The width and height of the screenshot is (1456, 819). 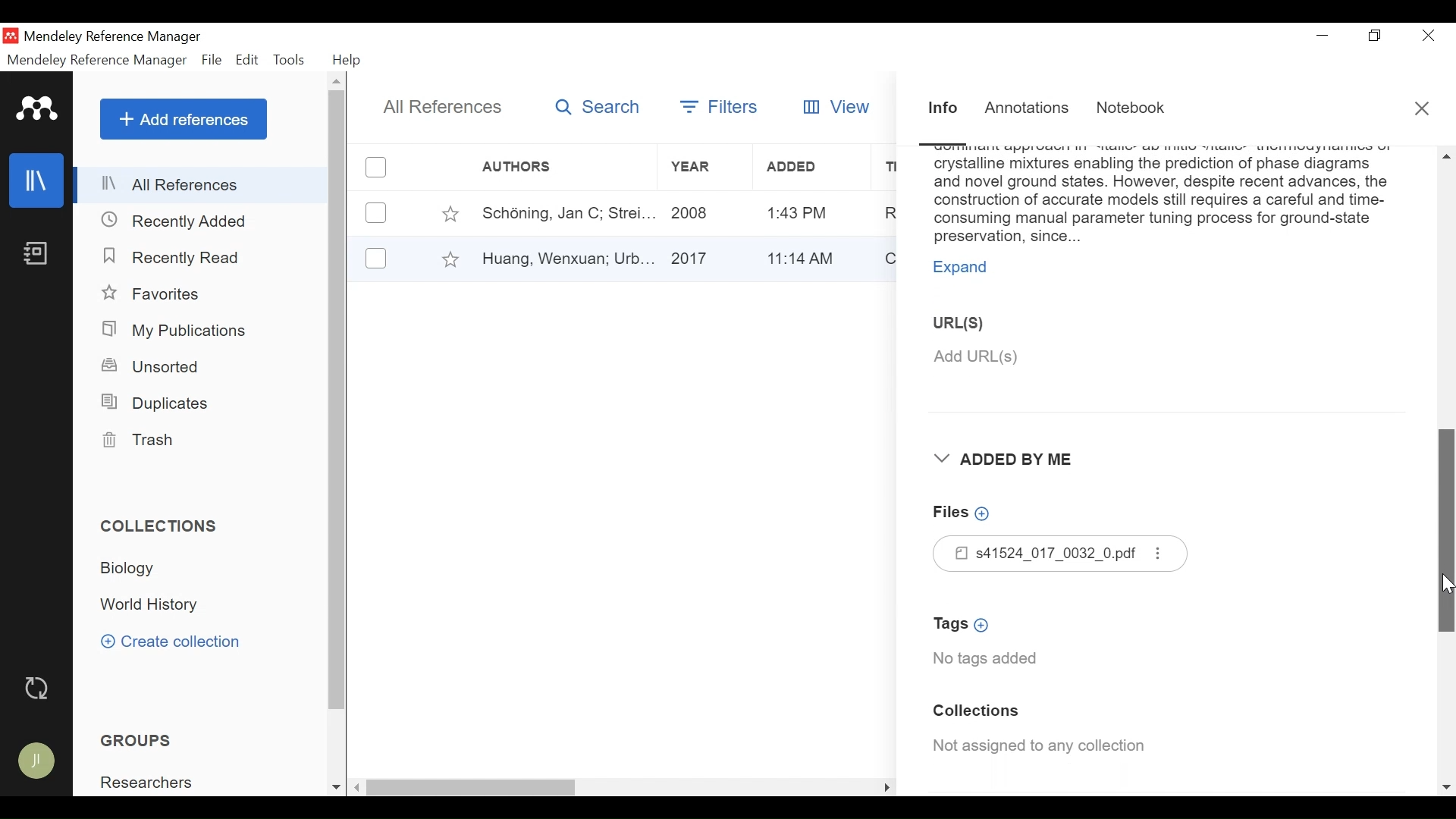 I want to click on Year, so click(x=703, y=212).